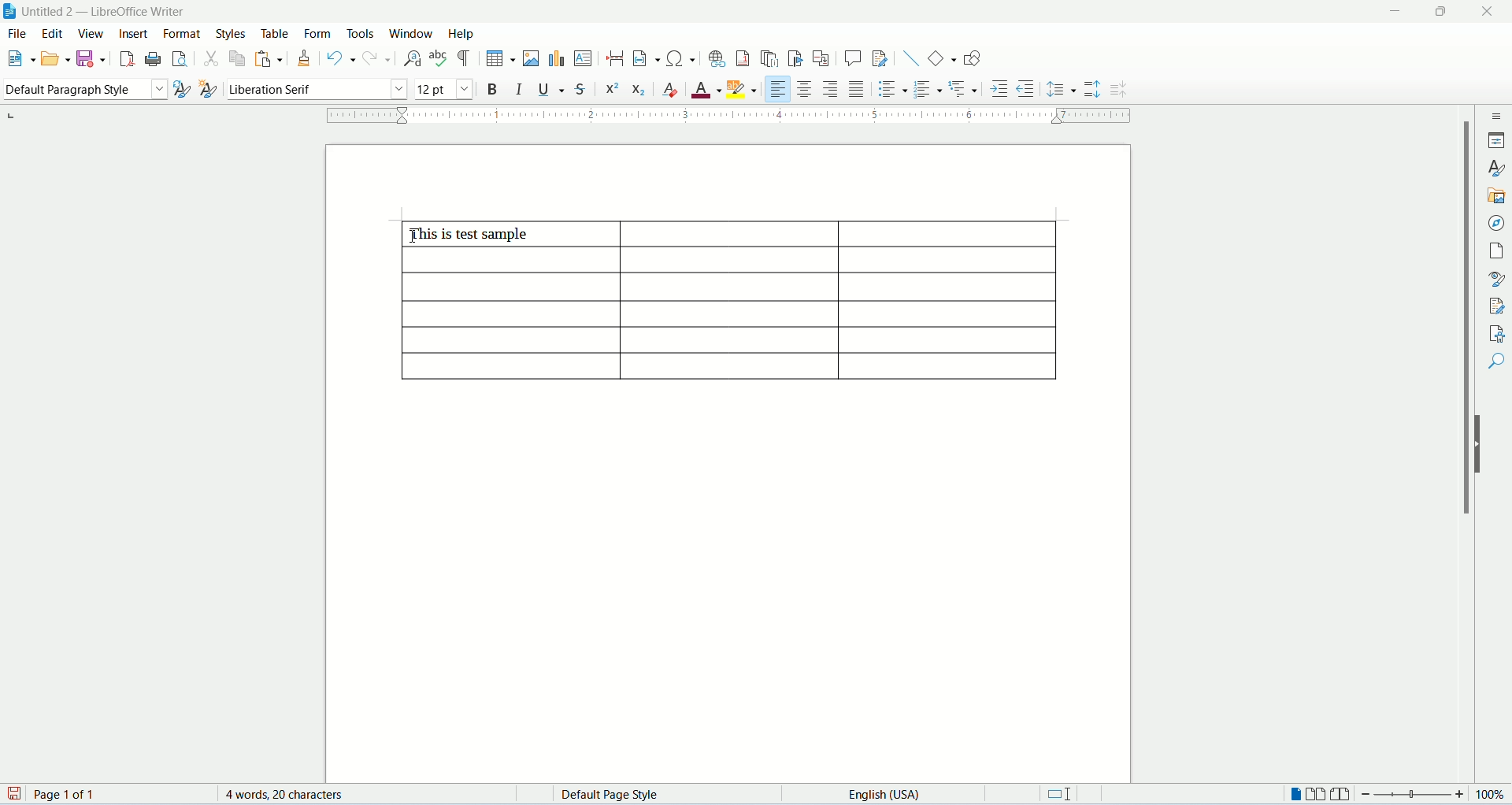 This screenshot has height=805, width=1512. What do you see at coordinates (134, 34) in the screenshot?
I see `insert` at bounding box center [134, 34].